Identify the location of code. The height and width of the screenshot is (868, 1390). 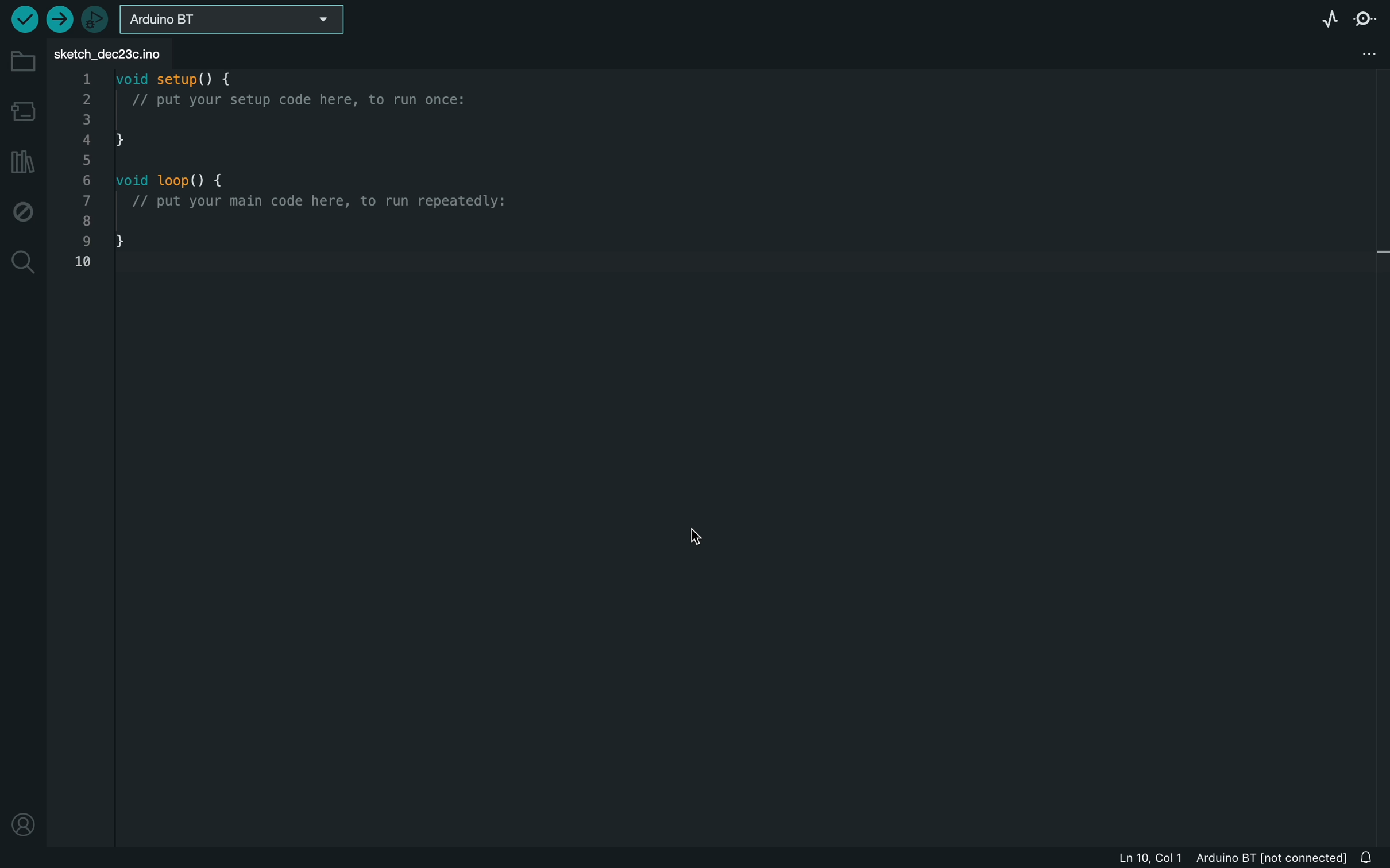
(300, 175).